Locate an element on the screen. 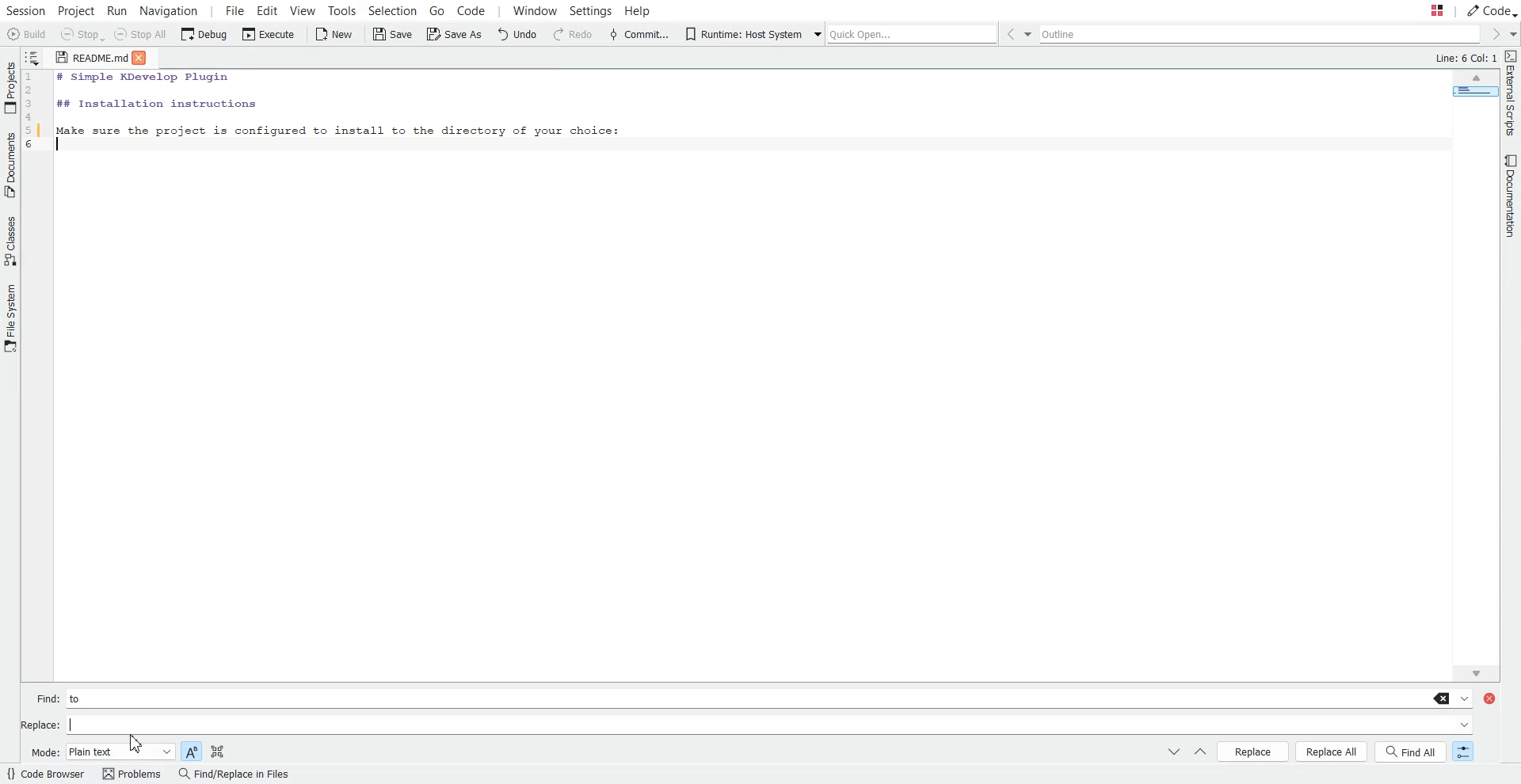 Image resolution: width=1521 pixels, height=784 pixels. Go is located at coordinates (436, 10).